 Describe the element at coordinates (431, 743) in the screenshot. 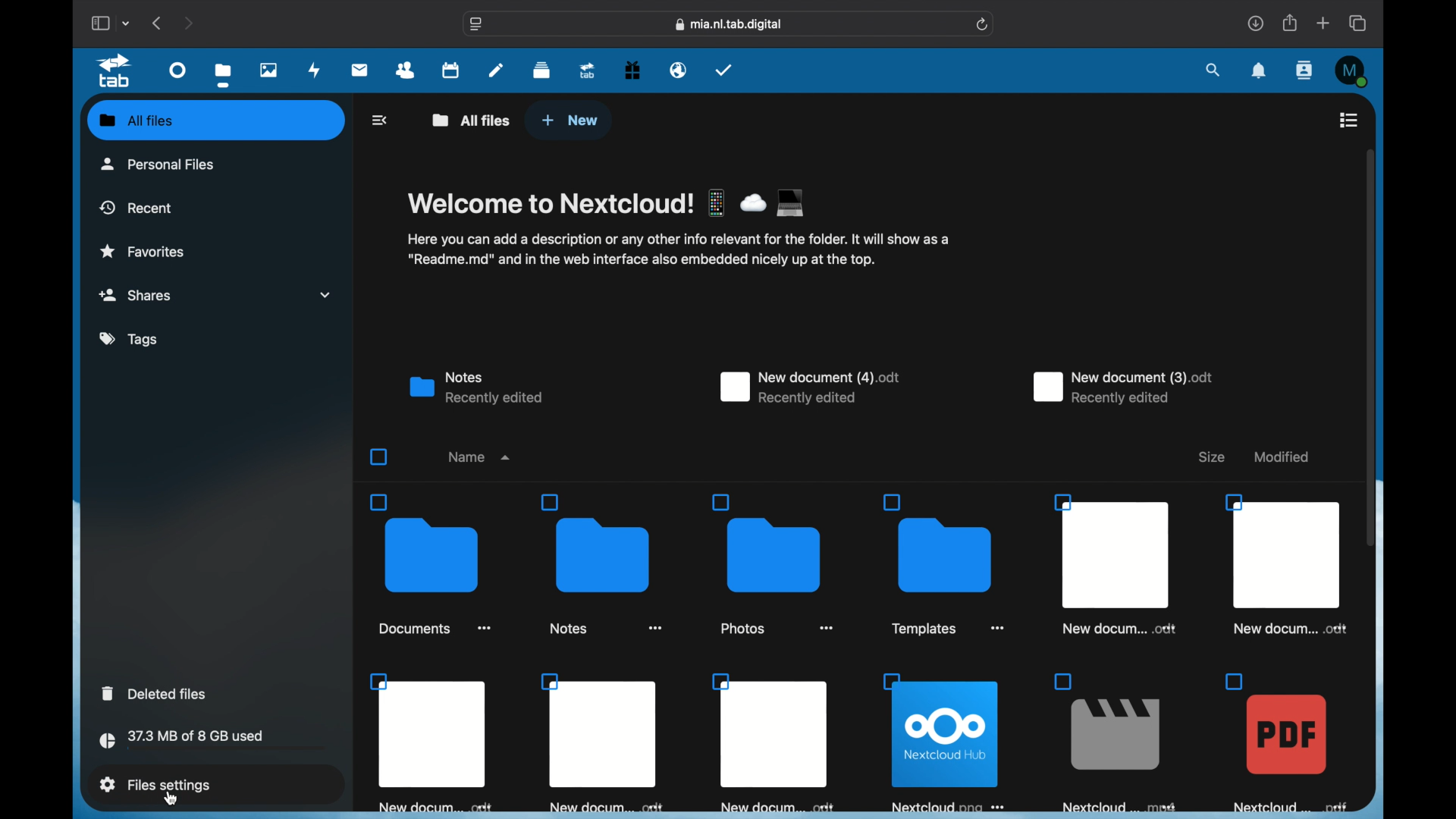

I see `file` at that location.